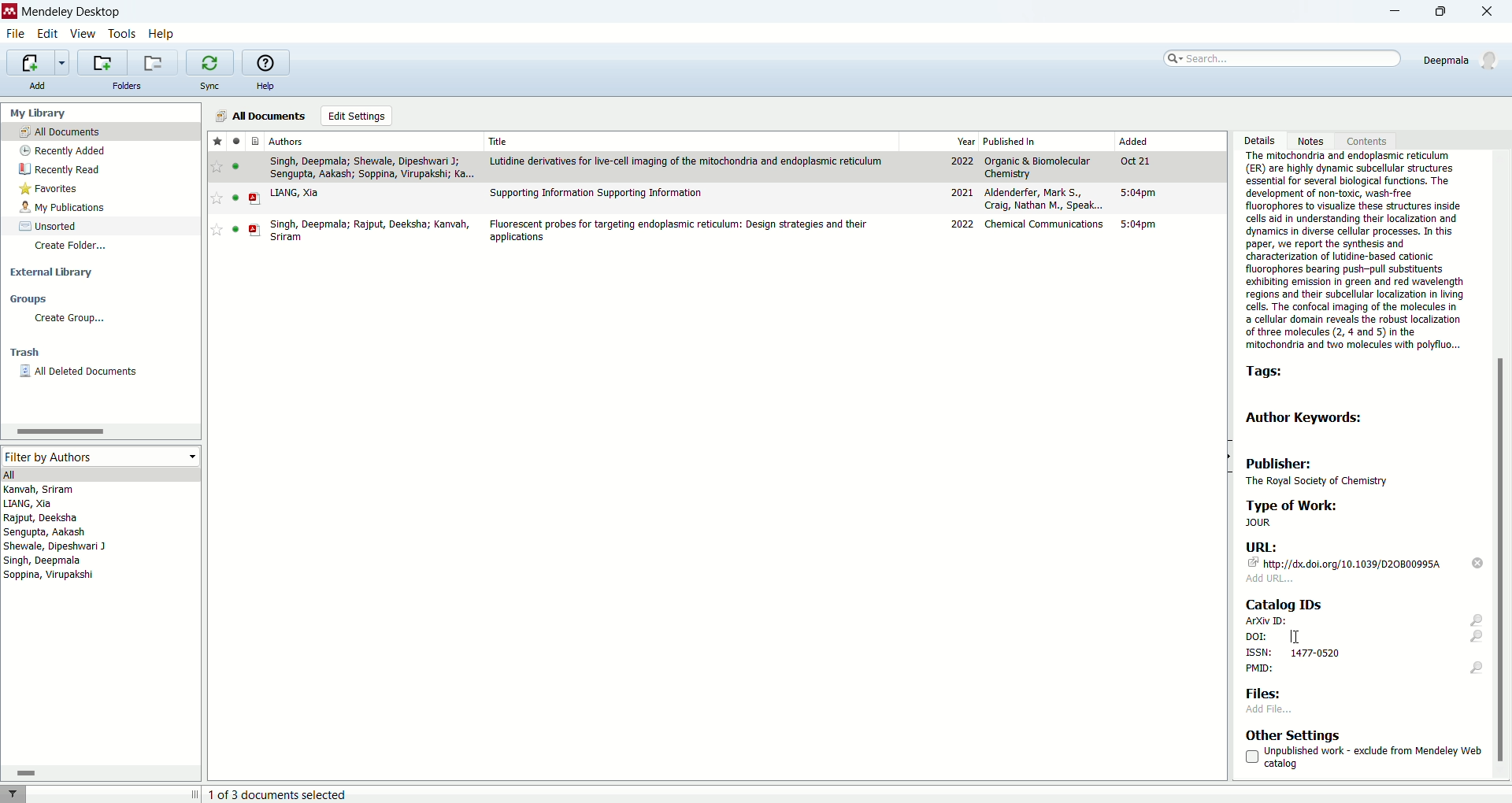  Describe the element at coordinates (1344, 513) in the screenshot. I see `type of work: JOUR` at that location.